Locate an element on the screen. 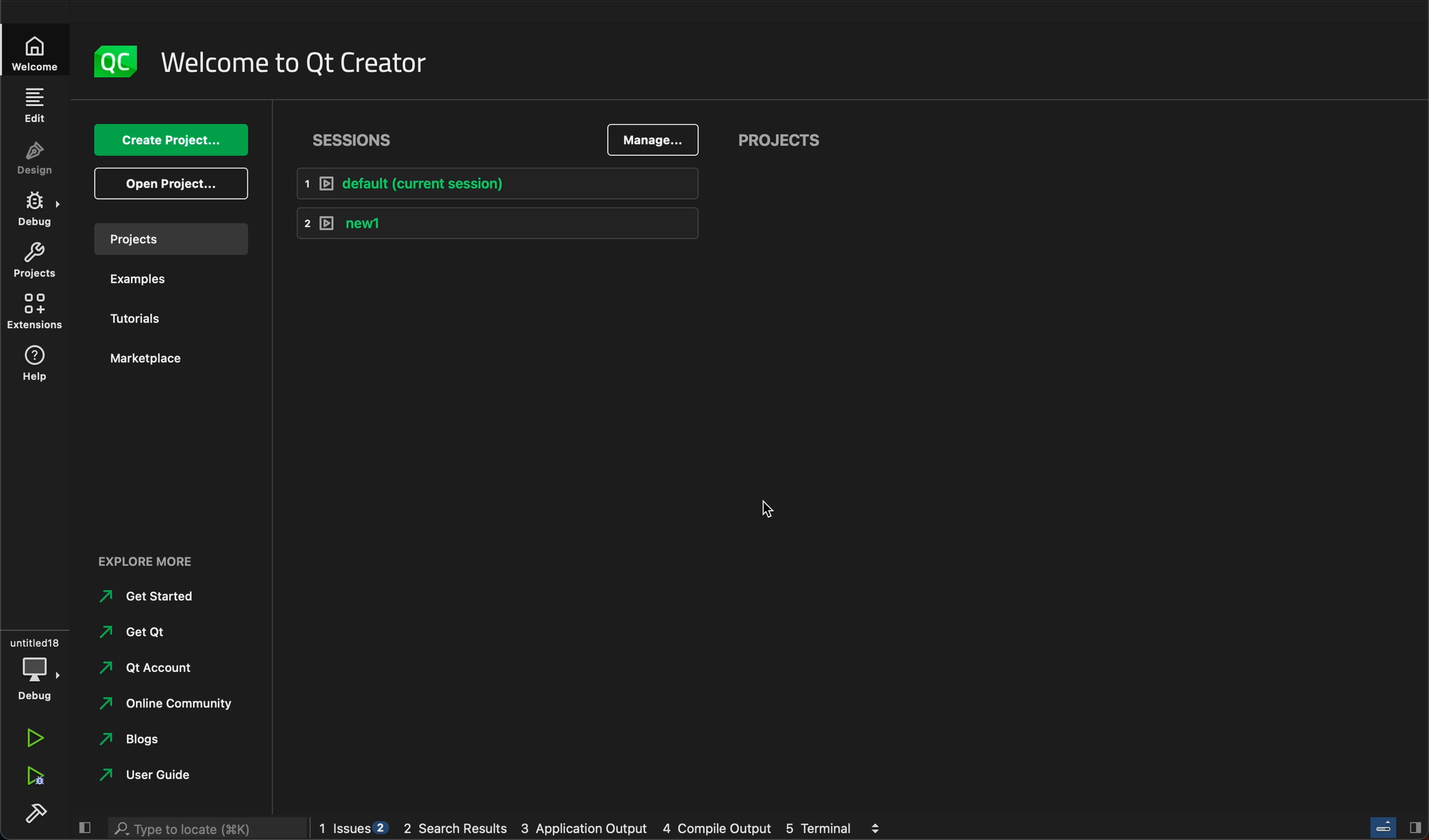  examples is located at coordinates (144, 279).